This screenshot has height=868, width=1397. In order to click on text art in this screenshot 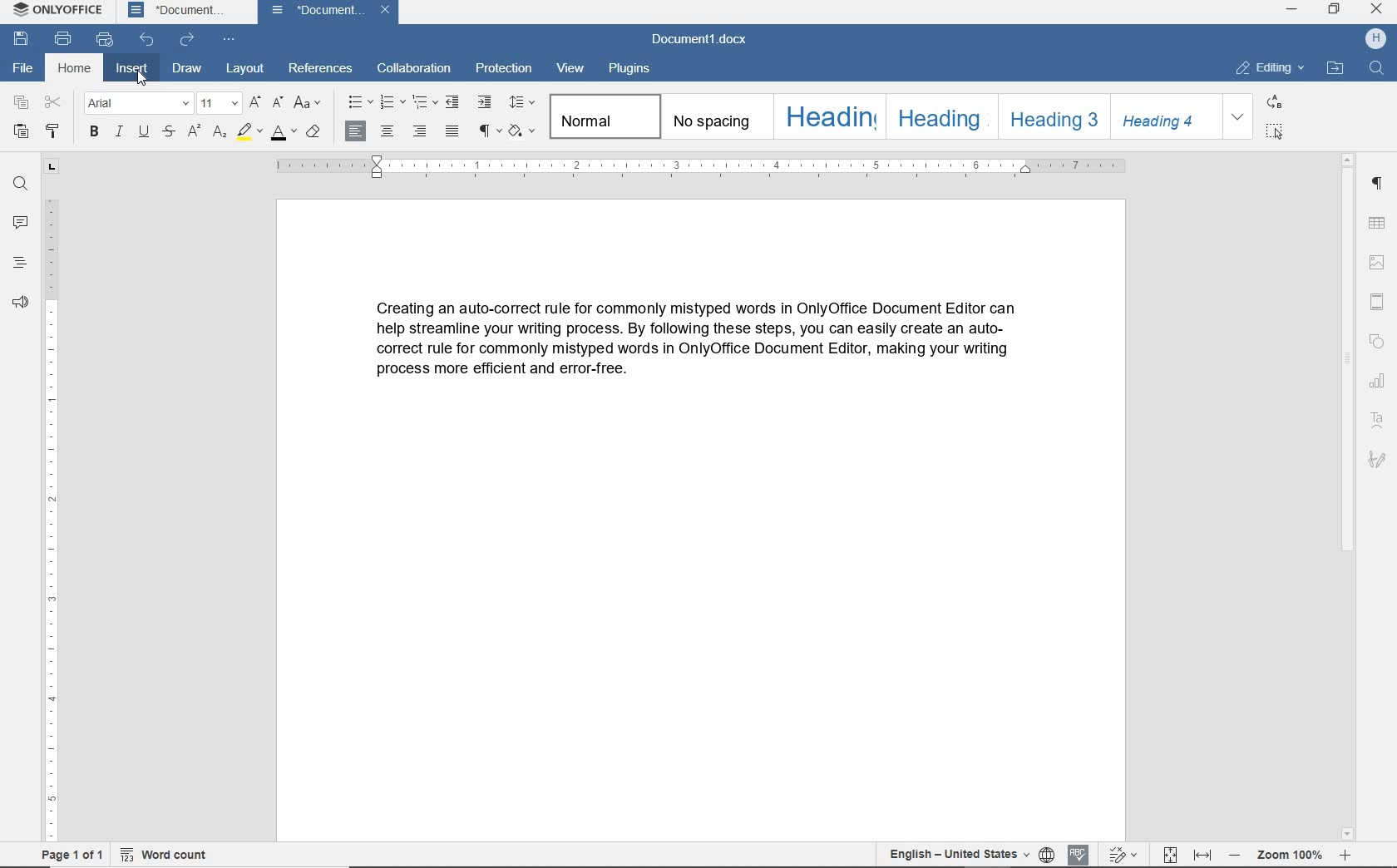, I will do `click(1380, 420)`.